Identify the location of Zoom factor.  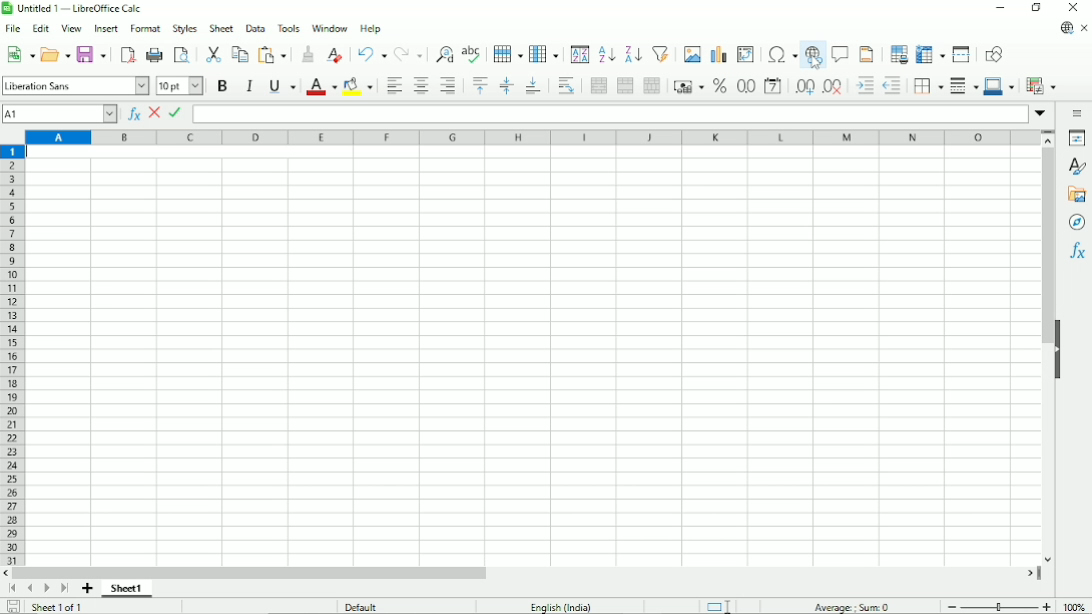
(1074, 606).